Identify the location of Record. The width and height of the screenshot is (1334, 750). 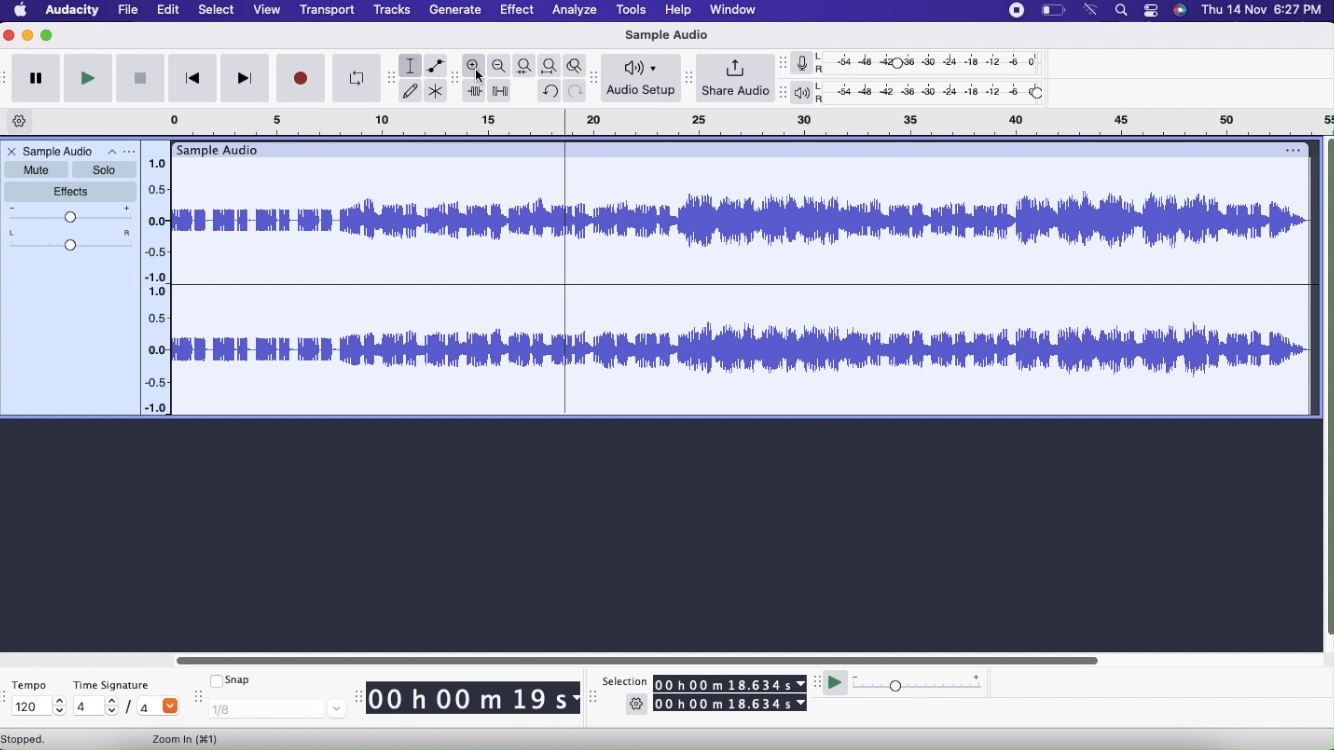
(1015, 12).